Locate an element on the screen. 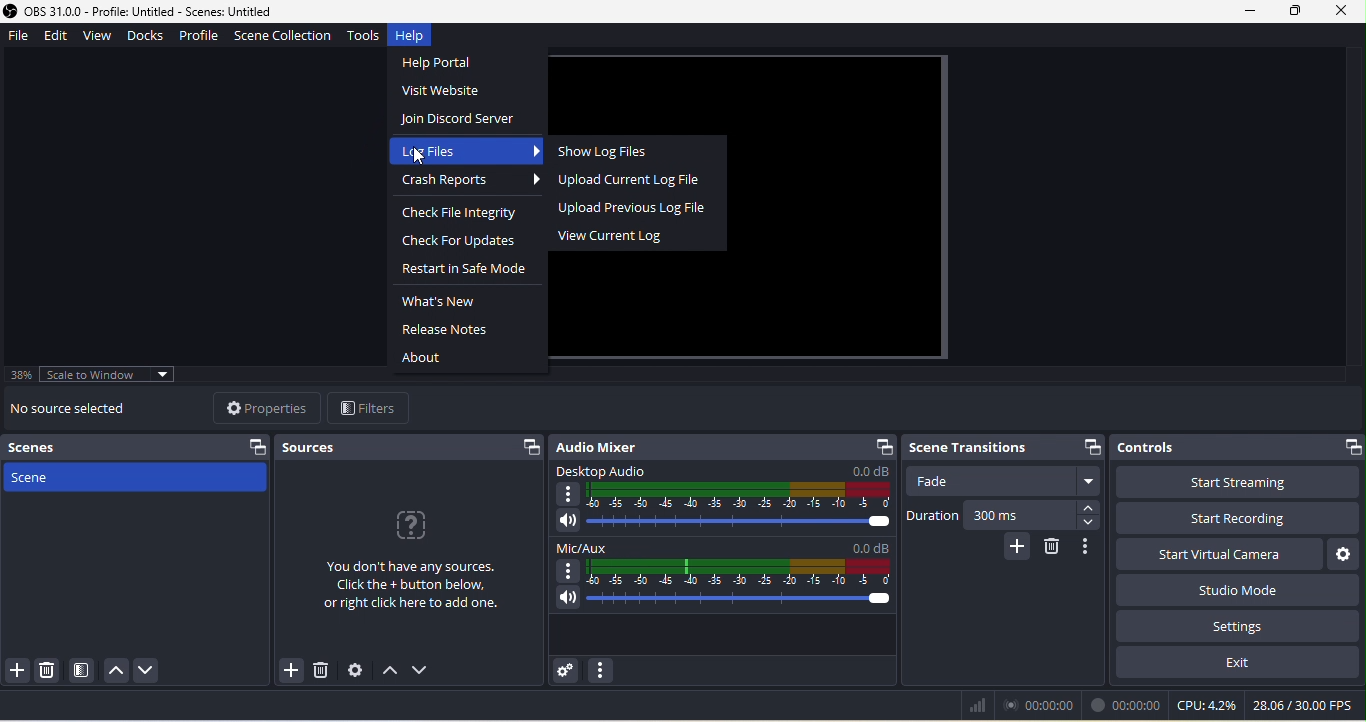 This screenshot has height=722, width=1366. maximize is located at coordinates (1292, 11).